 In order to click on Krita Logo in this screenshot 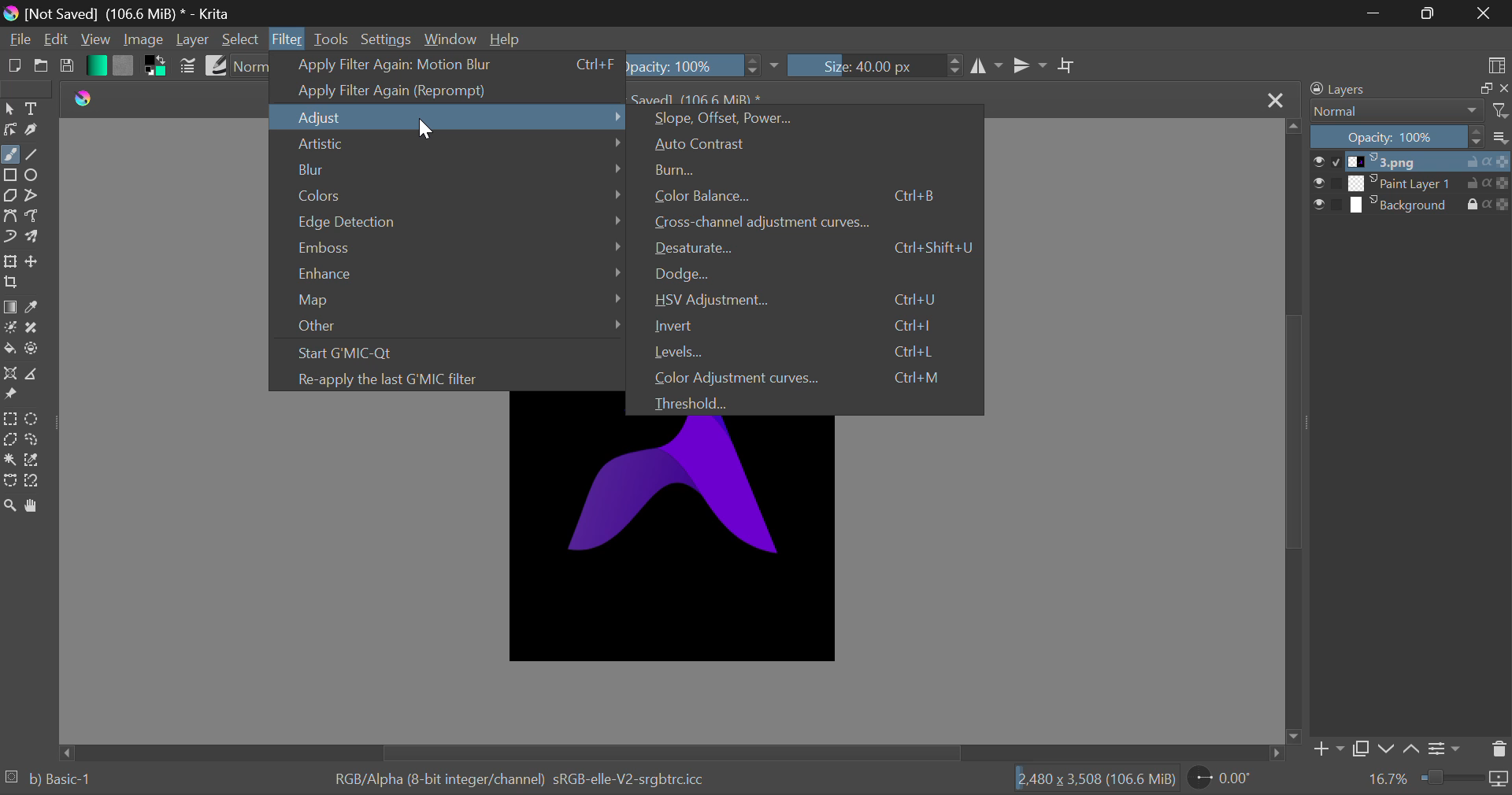, I will do `click(83, 97)`.